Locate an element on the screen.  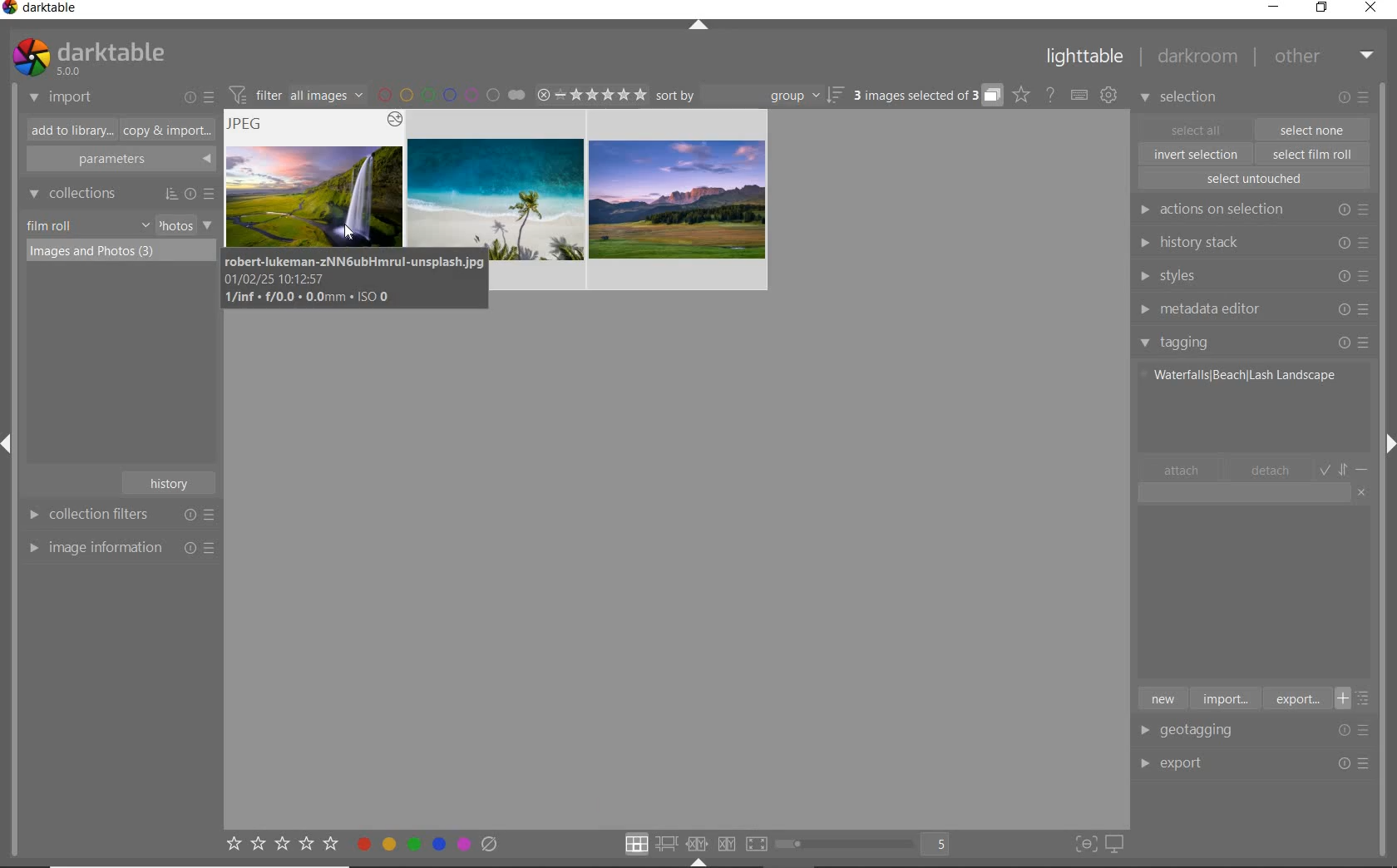
tagging is located at coordinates (1255, 342).